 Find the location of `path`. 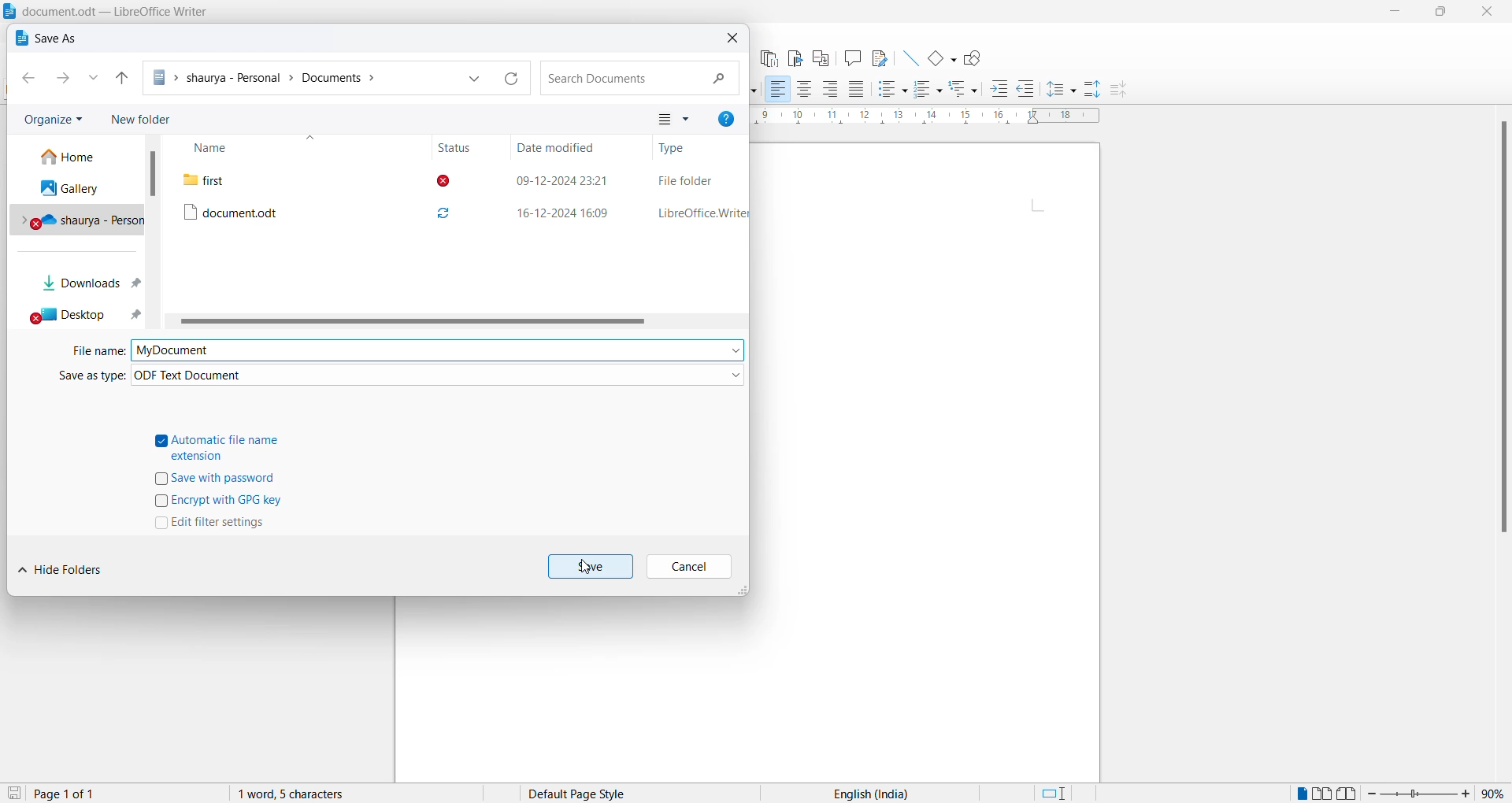

path is located at coordinates (304, 77).